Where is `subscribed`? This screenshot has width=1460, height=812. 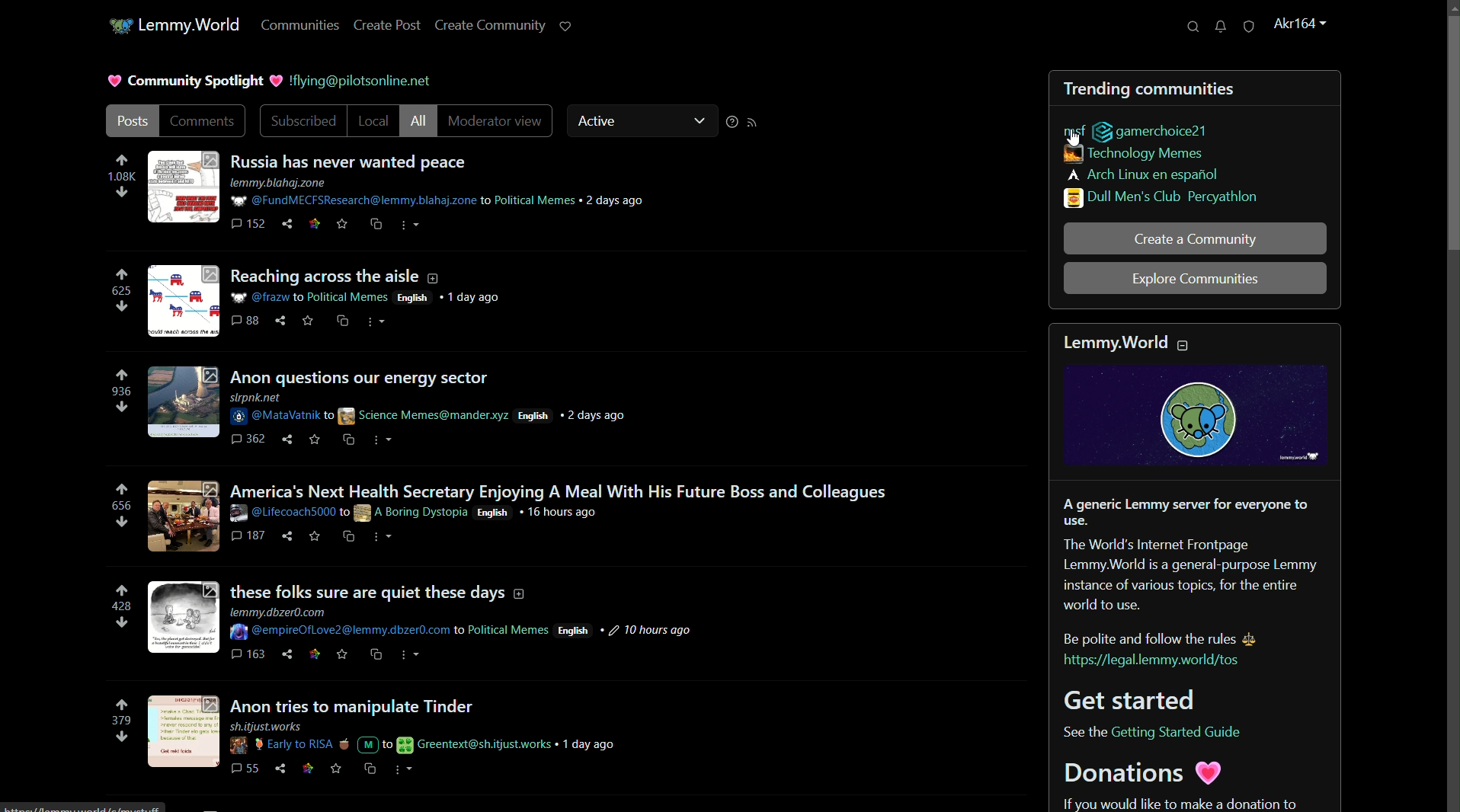
subscribed is located at coordinates (301, 121).